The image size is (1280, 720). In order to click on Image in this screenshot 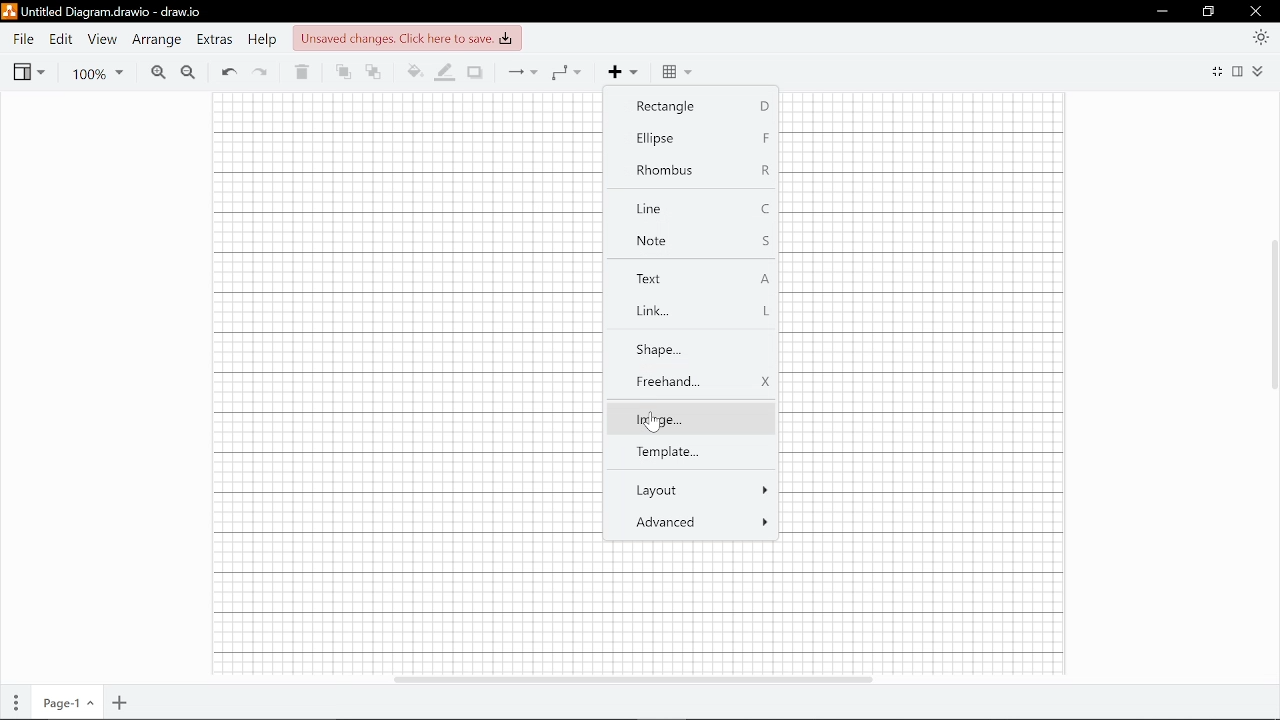, I will do `click(693, 416)`.